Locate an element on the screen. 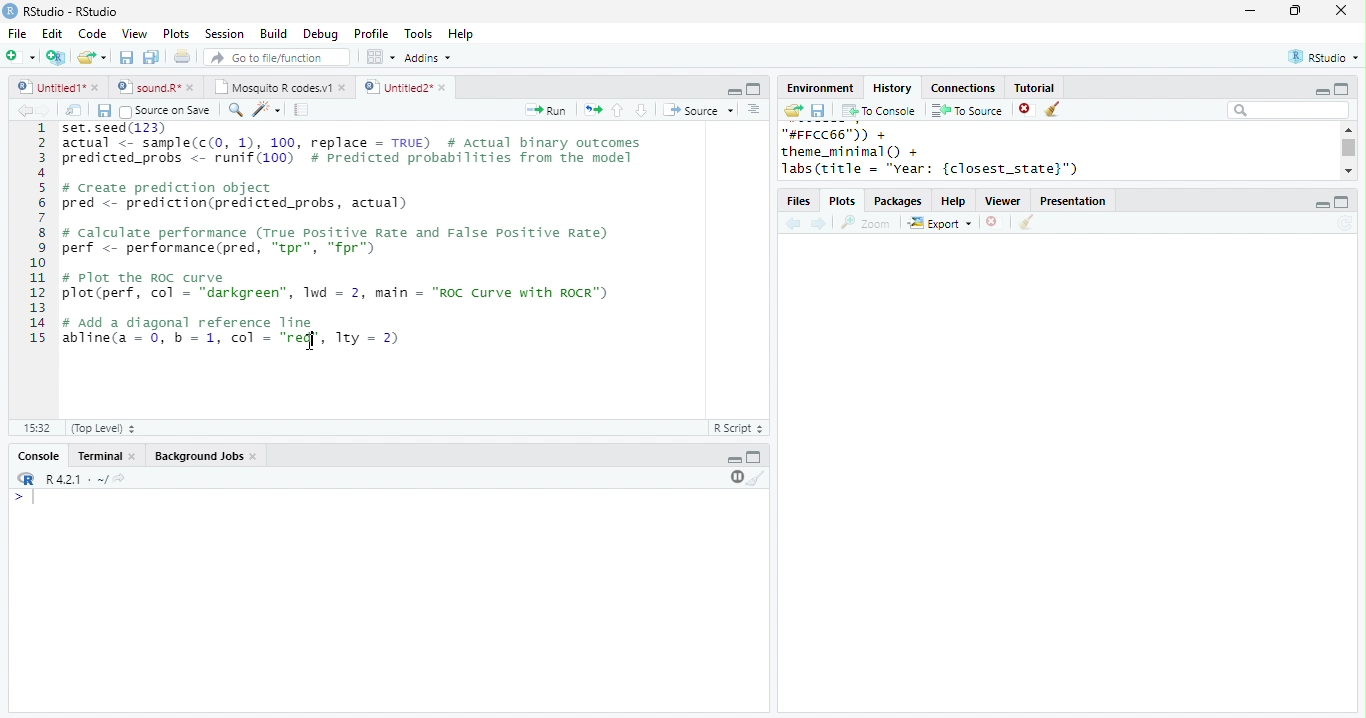 The image size is (1366, 718). up is located at coordinates (616, 110).